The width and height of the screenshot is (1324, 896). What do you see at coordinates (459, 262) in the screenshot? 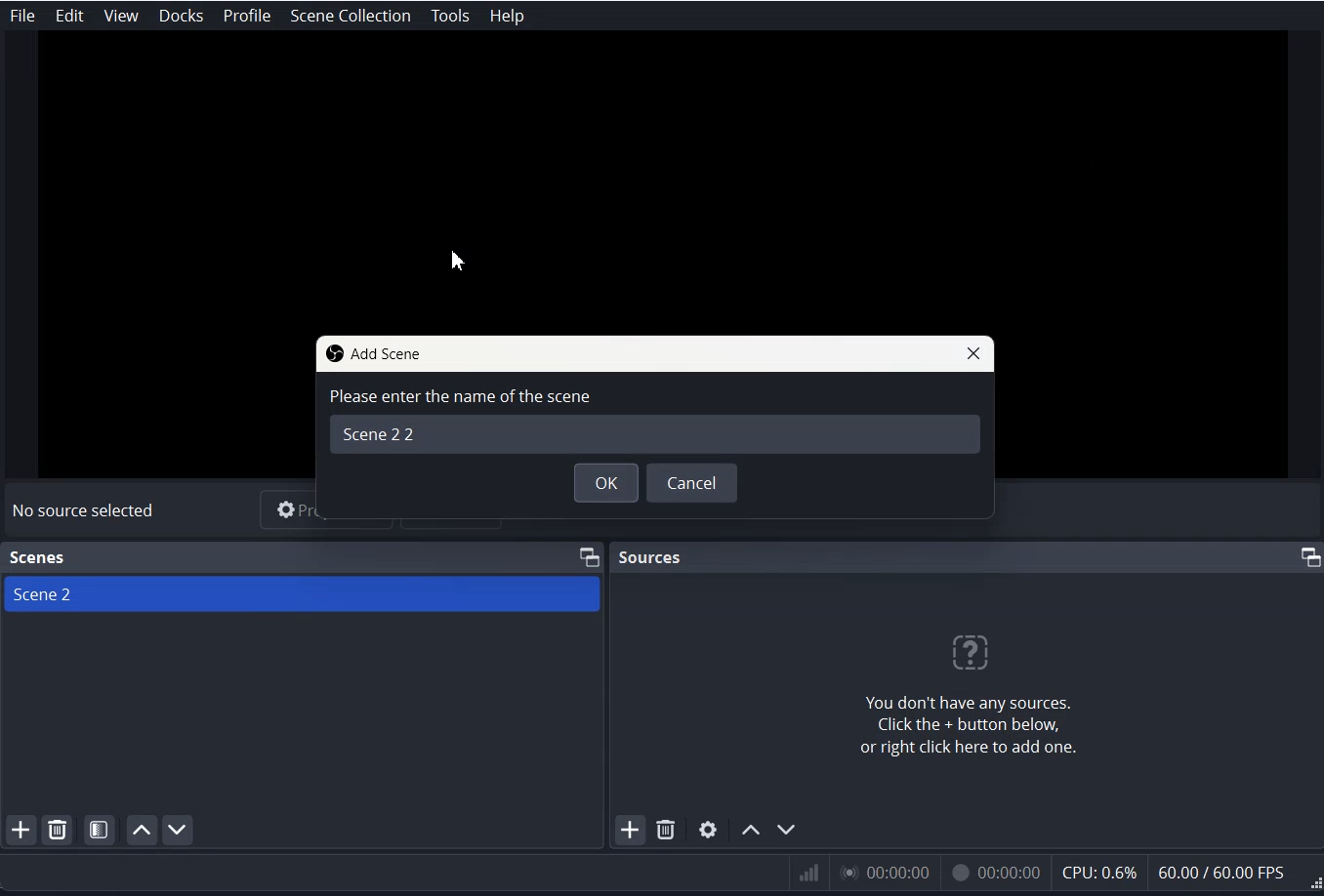
I see `Cursor` at bounding box center [459, 262].